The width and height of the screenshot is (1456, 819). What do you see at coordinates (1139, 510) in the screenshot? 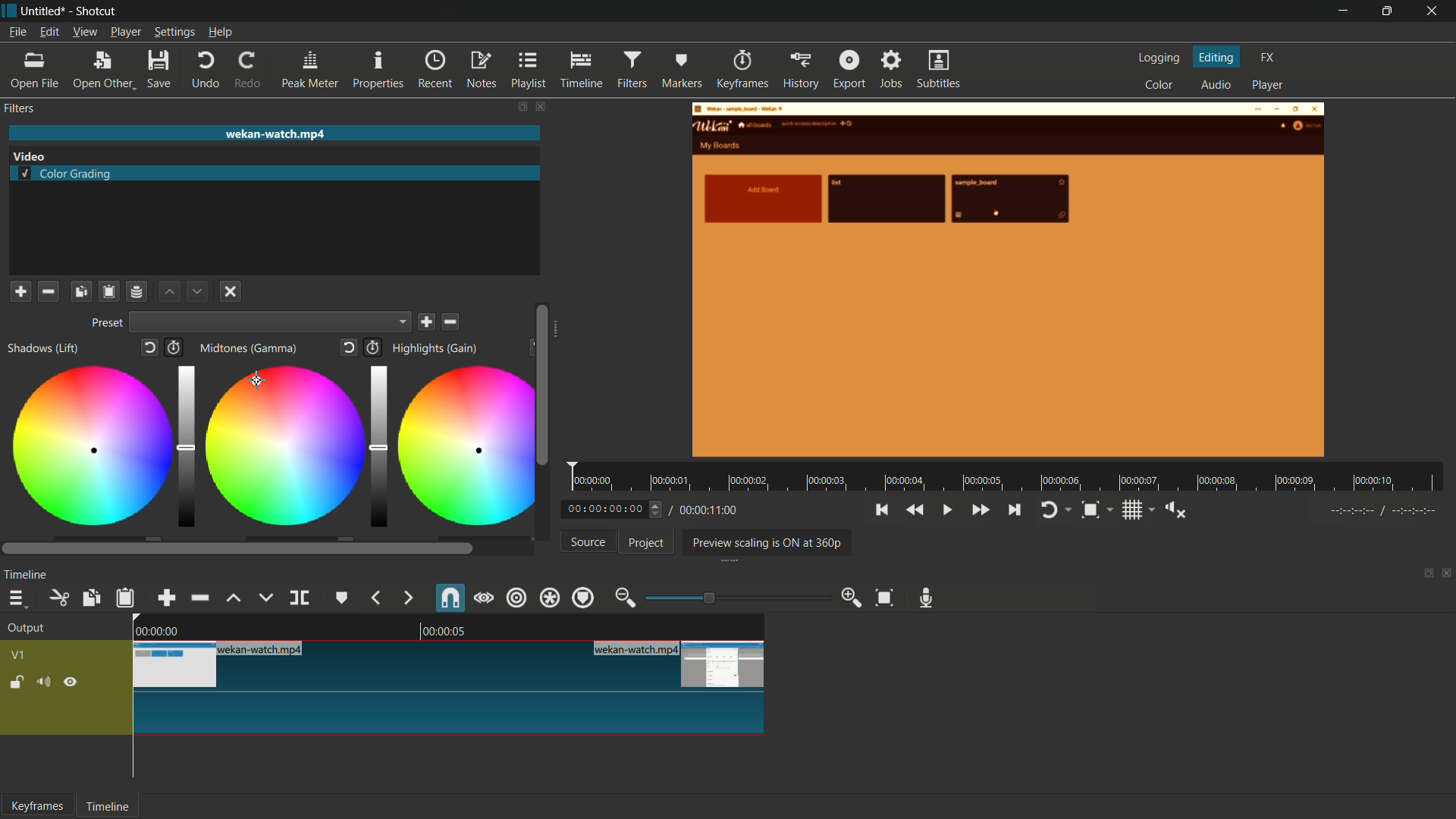
I see `toggle grid` at bounding box center [1139, 510].